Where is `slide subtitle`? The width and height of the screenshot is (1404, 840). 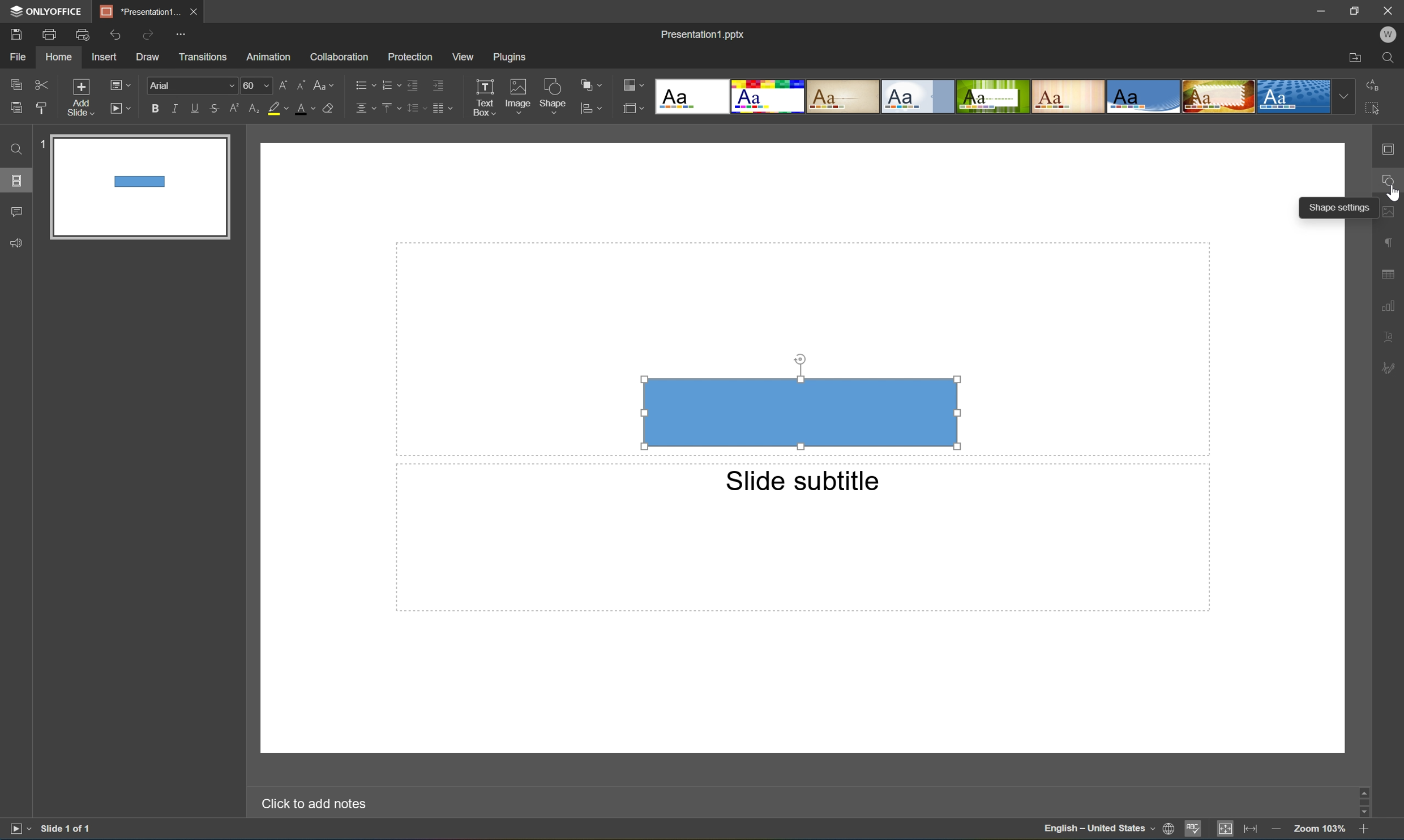 slide subtitle is located at coordinates (796, 481).